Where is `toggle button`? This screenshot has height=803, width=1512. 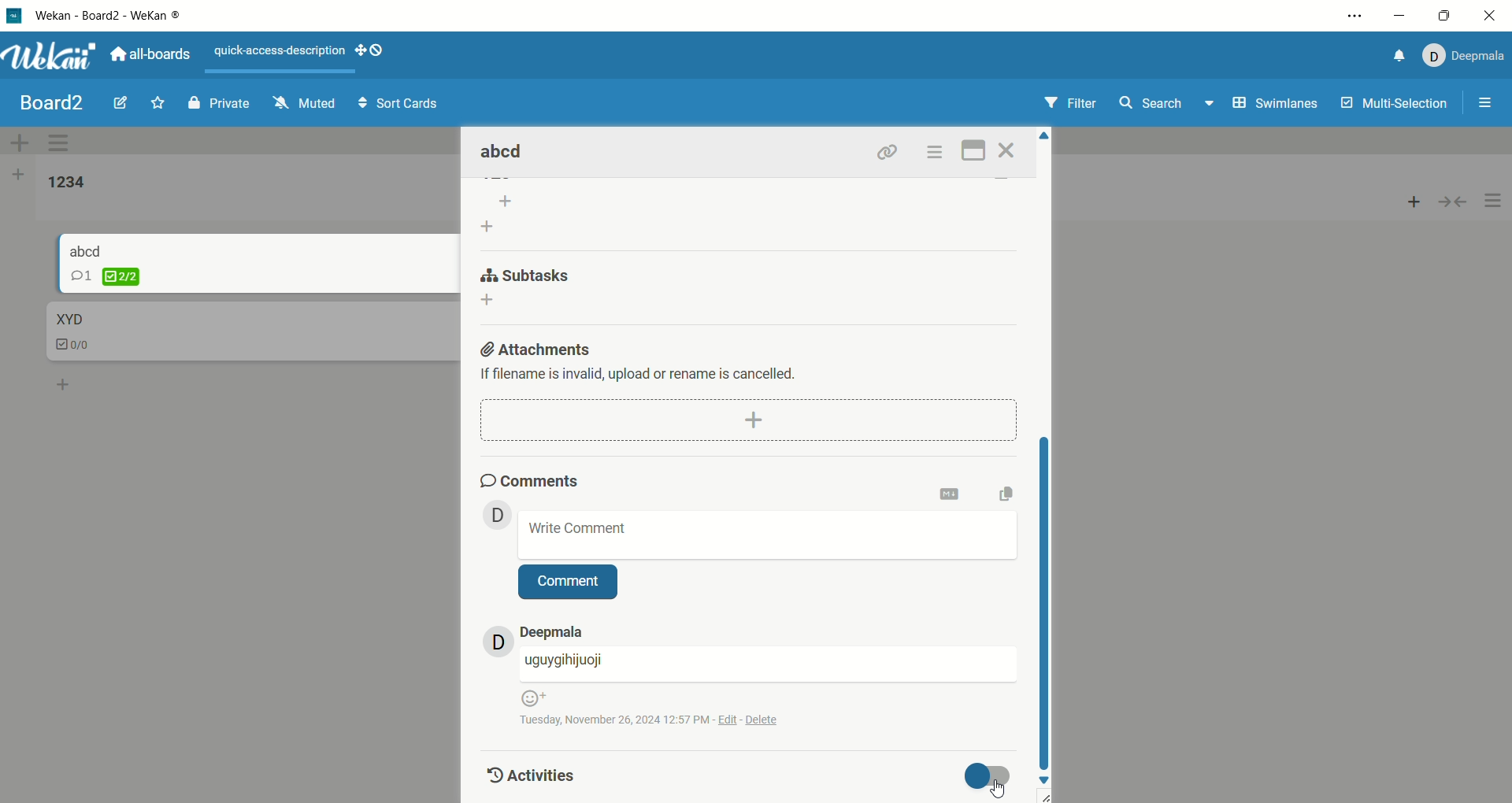 toggle button is located at coordinates (991, 776).